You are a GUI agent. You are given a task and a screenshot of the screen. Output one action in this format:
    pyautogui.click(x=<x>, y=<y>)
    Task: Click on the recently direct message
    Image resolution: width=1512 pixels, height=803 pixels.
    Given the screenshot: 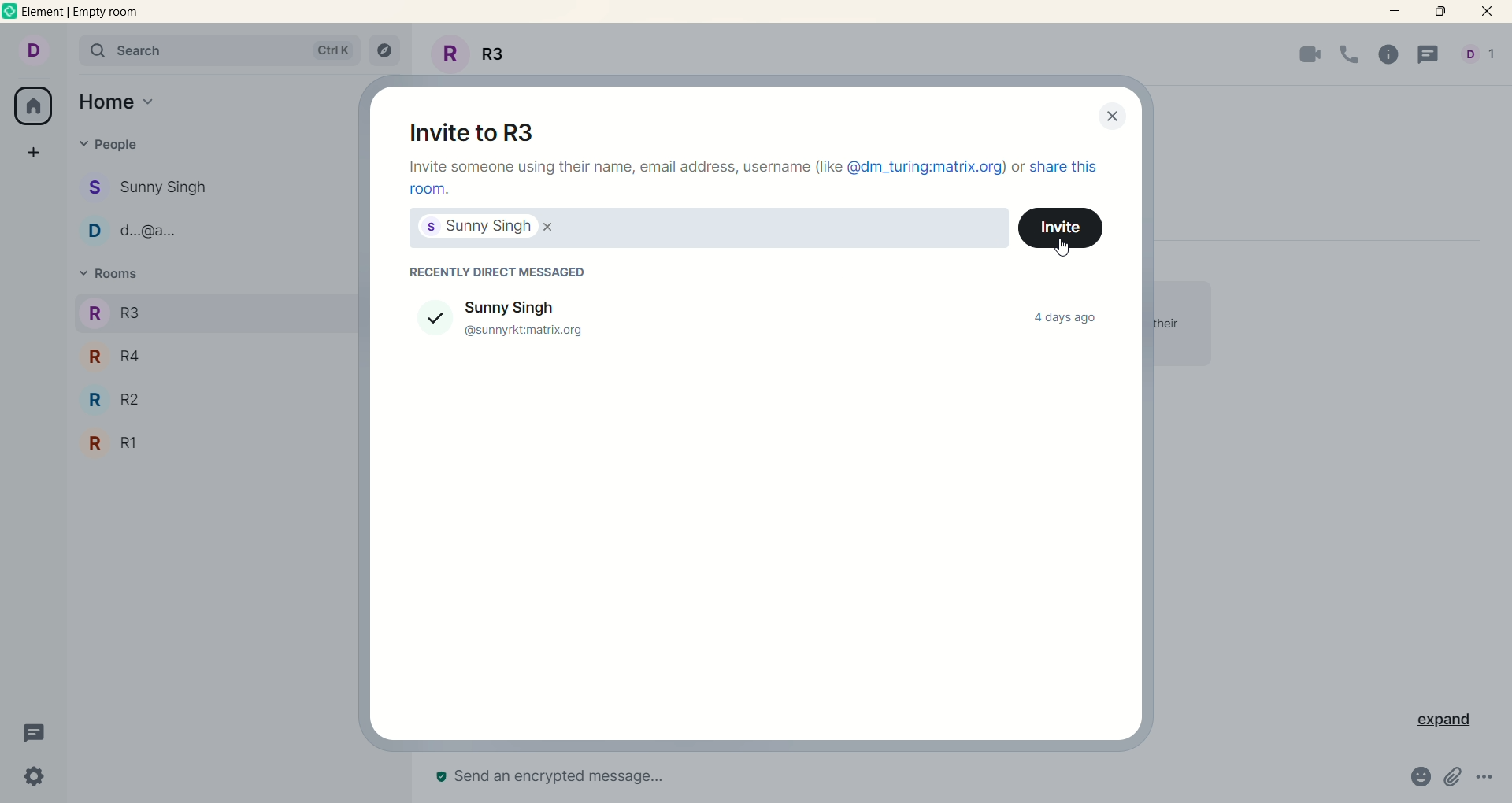 What is the action you would take?
    pyautogui.click(x=494, y=269)
    